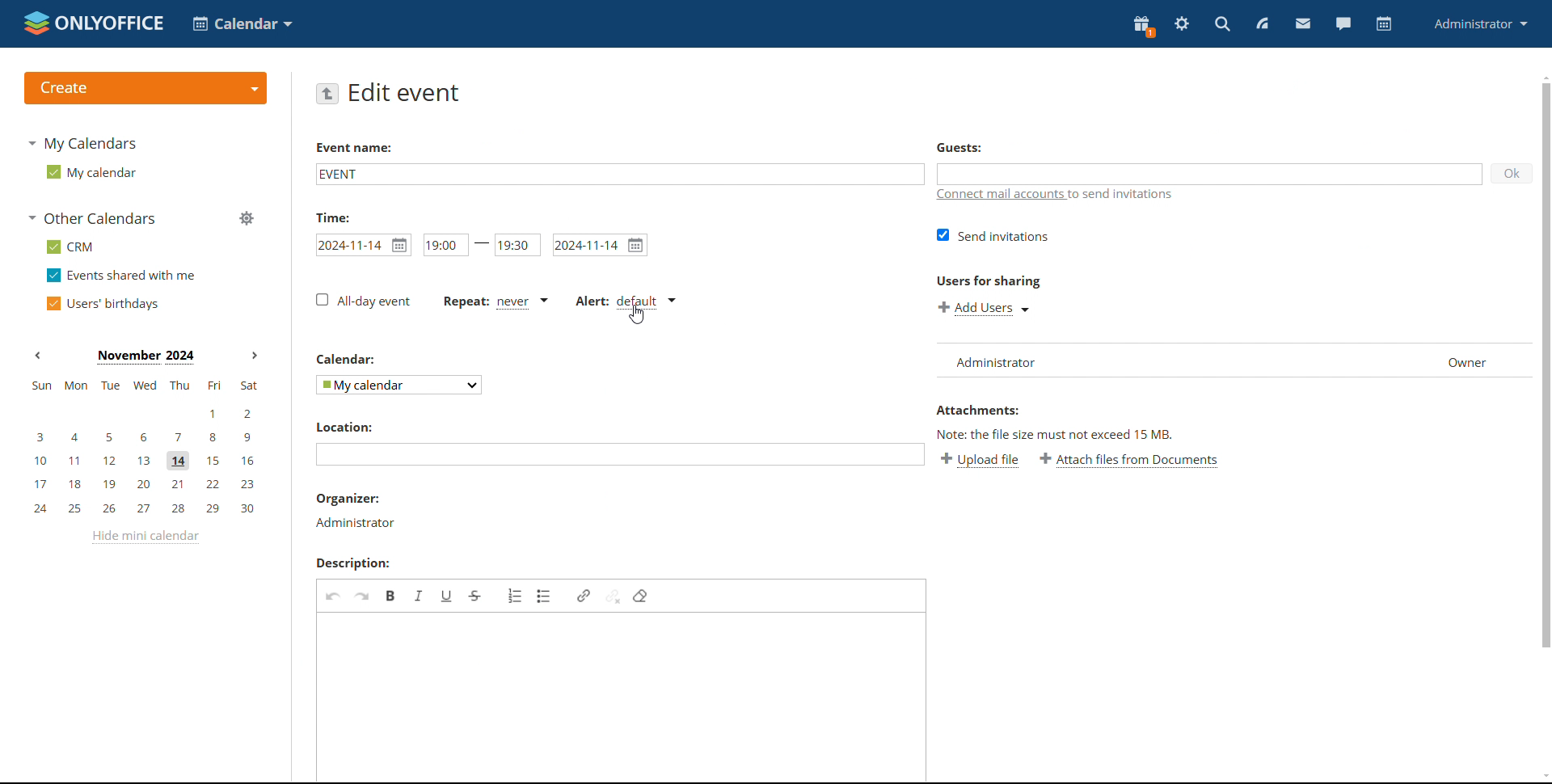 This screenshot has width=1552, height=784. What do you see at coordinates (600, 245) in the screenshot?
I see `end date` at bounding box center [600, 245].